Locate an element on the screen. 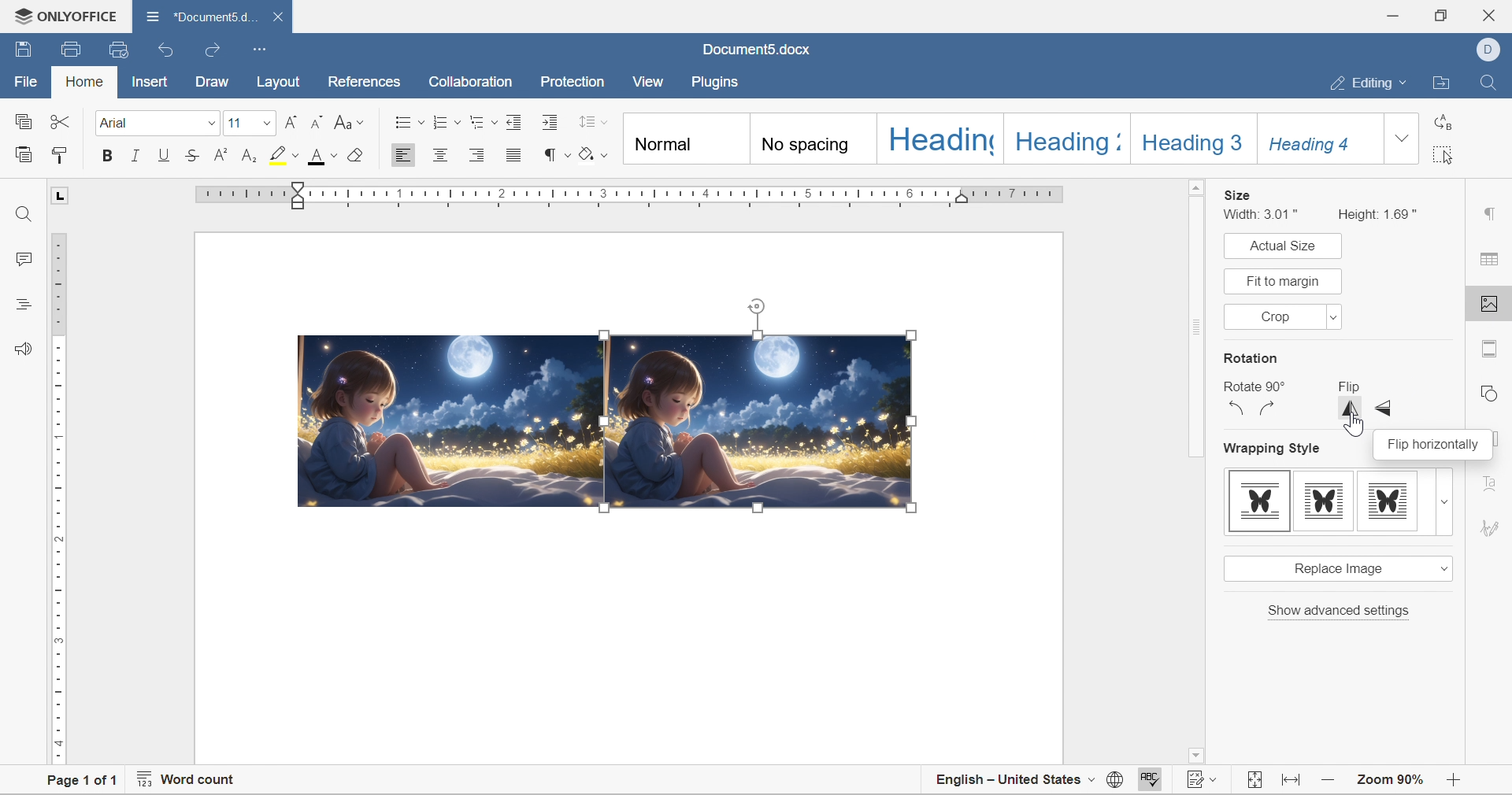  chart settings is located at coordinates (1499, 442).